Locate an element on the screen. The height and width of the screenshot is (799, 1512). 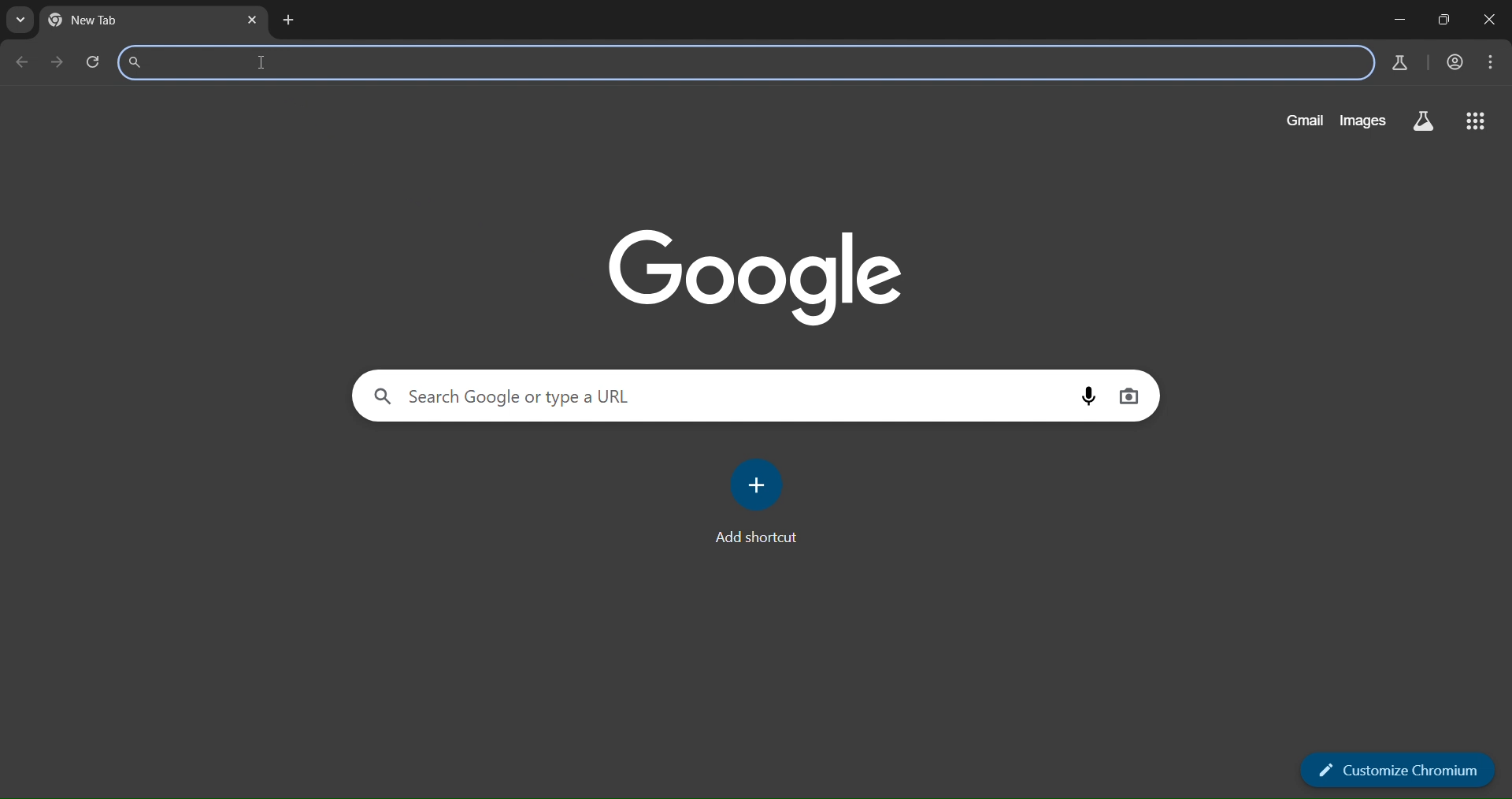
google apps is located at coordinates (1478, 122).